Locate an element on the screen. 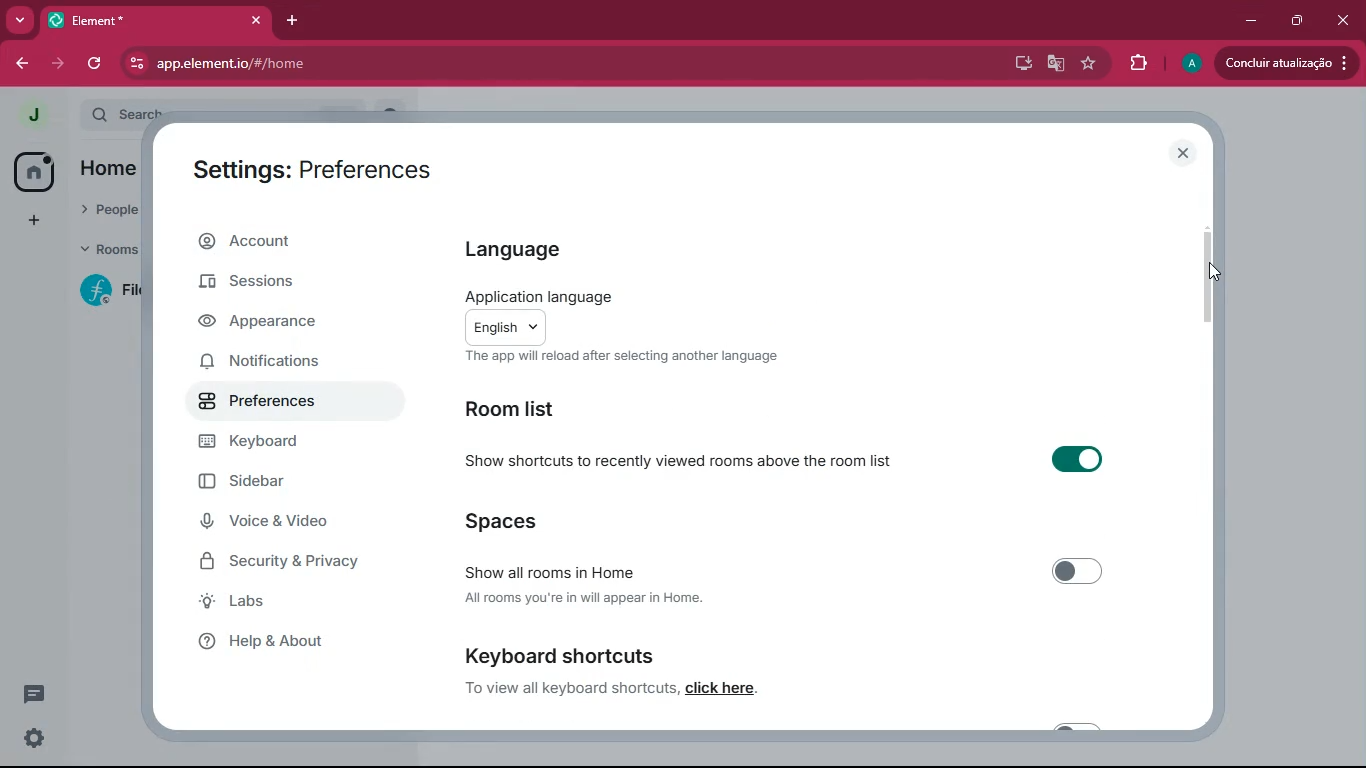  back is located at coordinates (19, 63).